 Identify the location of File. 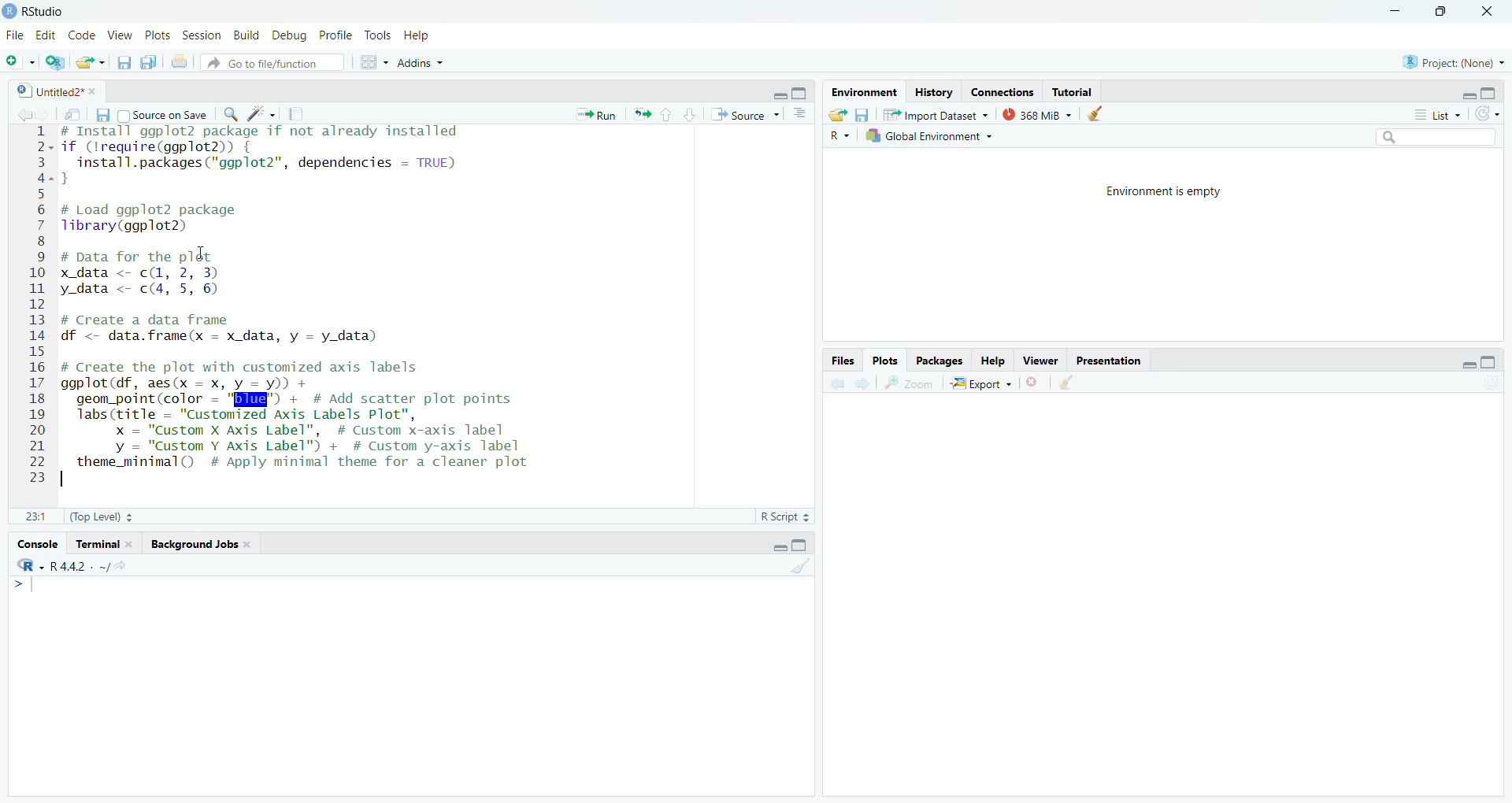
(17, 36).